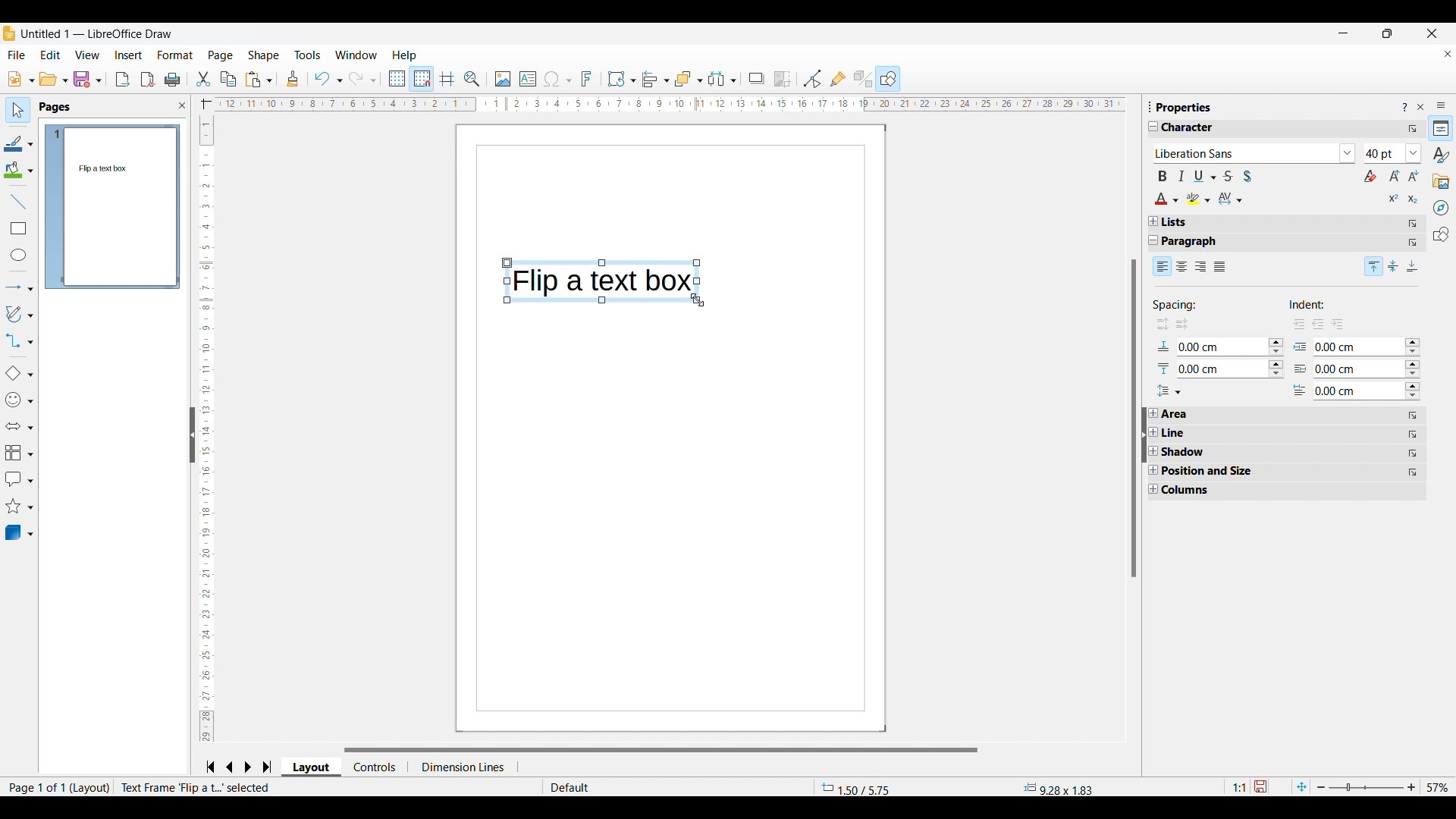 Image resolution: width=1456 pixels, height=819 pixels. What do you see at coordinates (91, 788) in the screenshot?
I see `layout` at bounding box center [91, 788].